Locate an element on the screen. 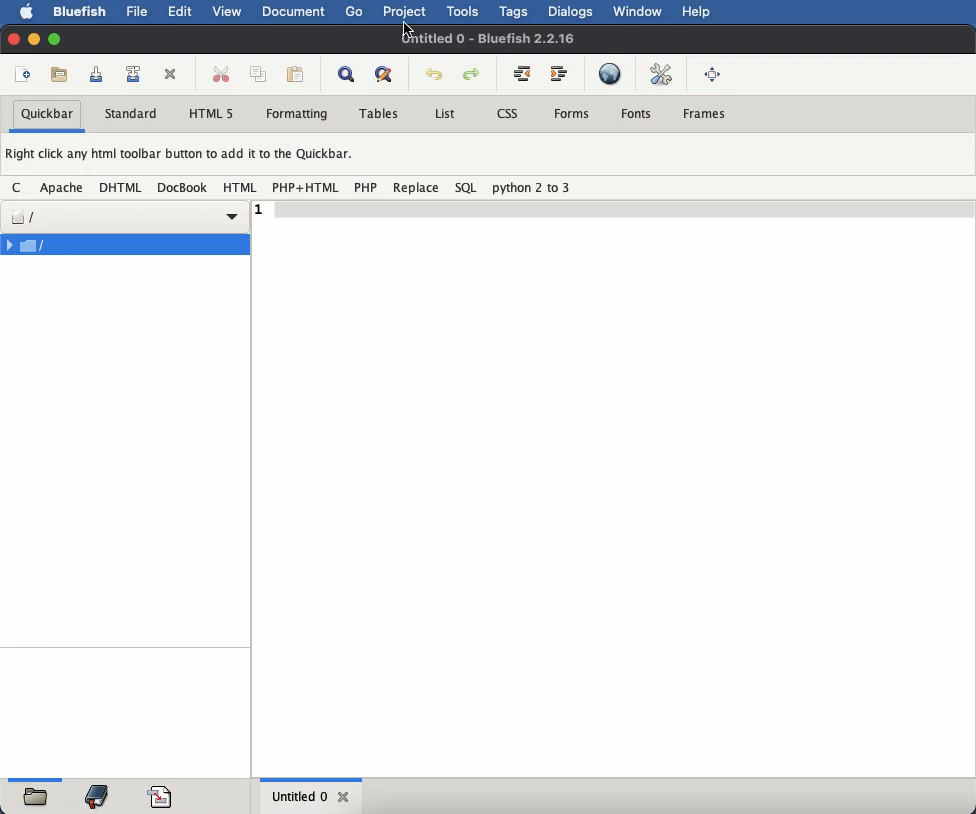  close current file is located at coordinates (172, 75).